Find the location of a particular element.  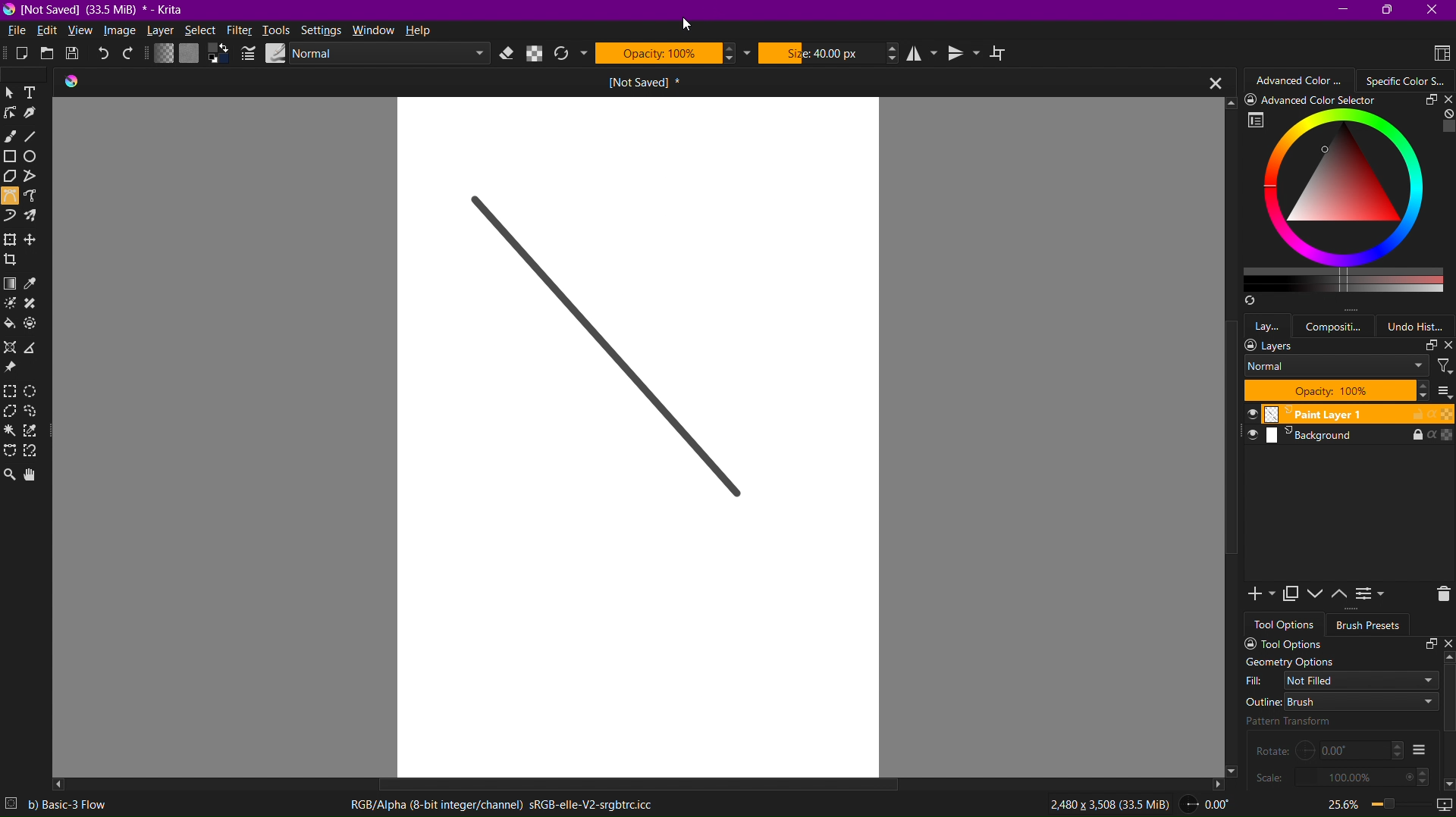

Options is located at coordinates (1419, 750).